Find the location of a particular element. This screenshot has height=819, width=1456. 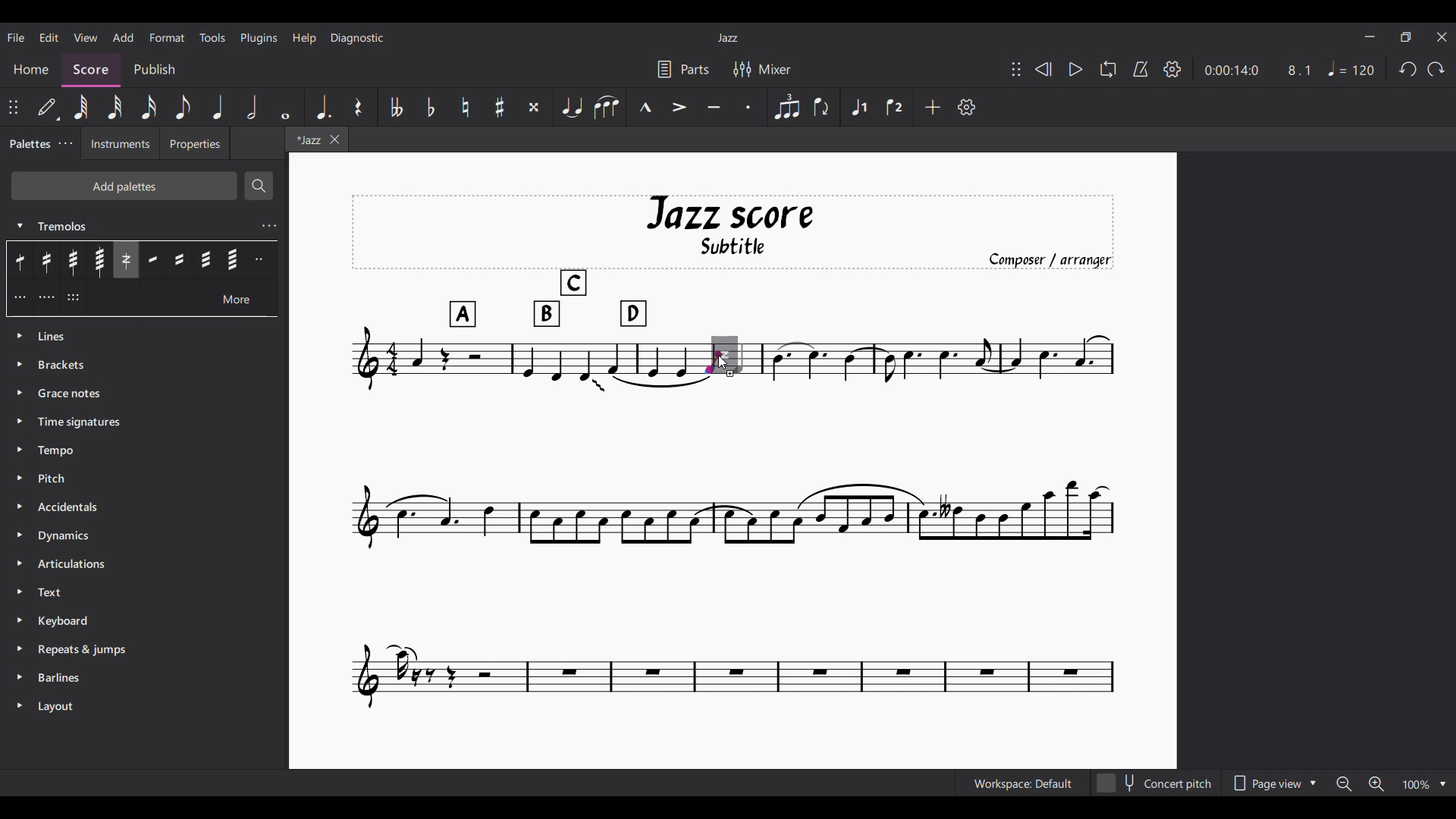

Staccato is located at coordinates (748, 107).